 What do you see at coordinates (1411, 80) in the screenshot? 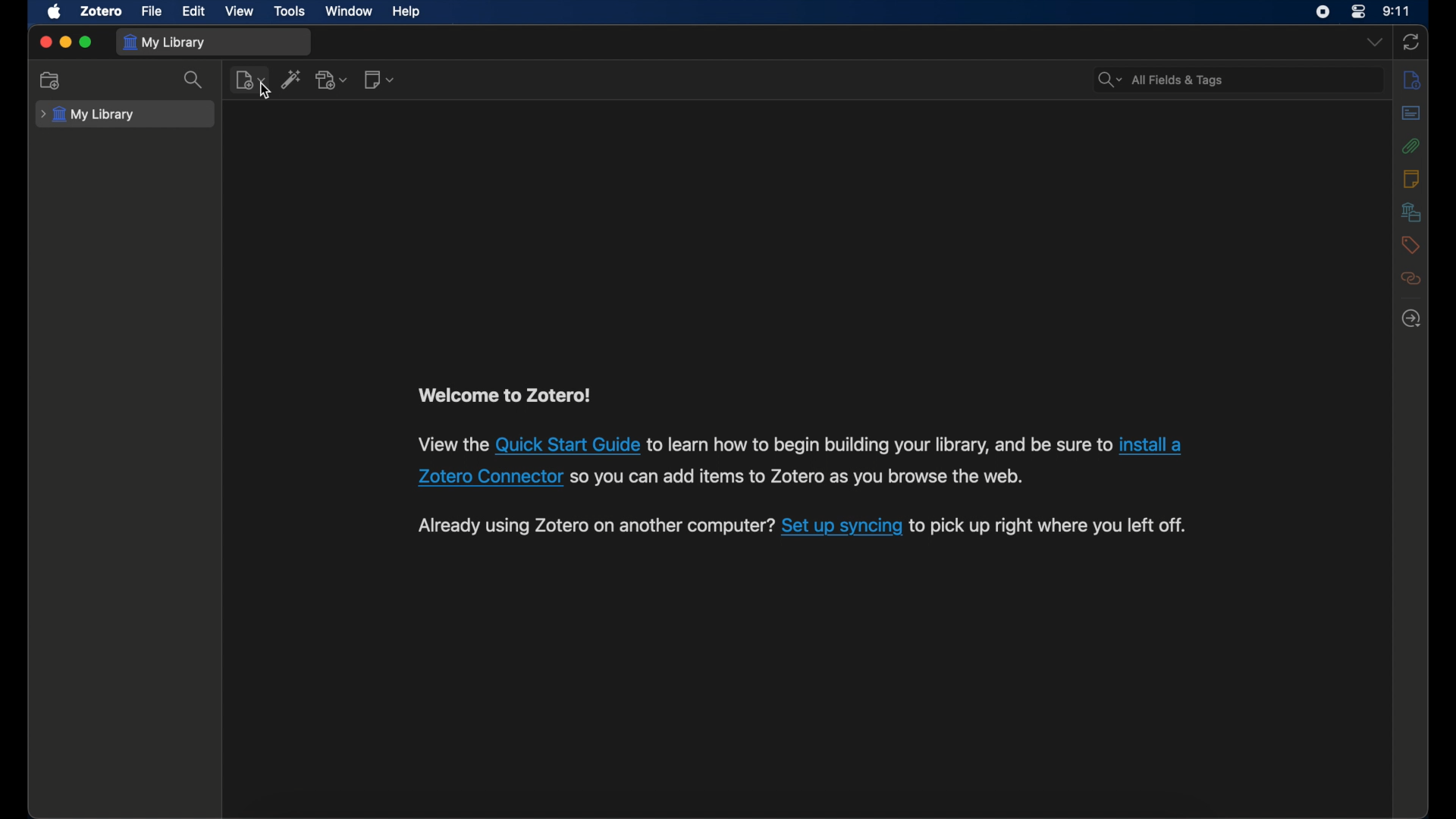
I see `info` at bounding box center [1411, 80].